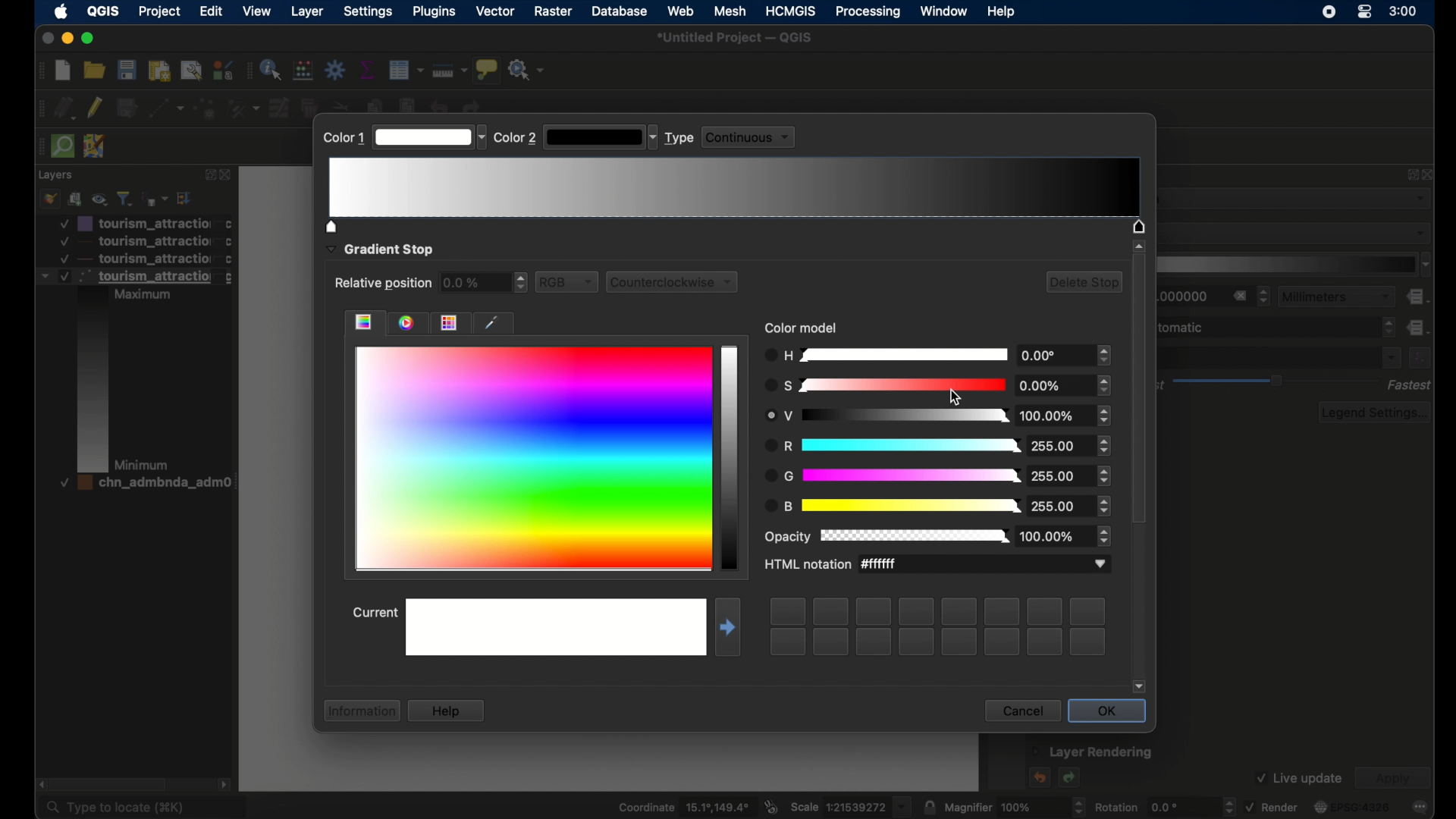 The height and width of the screenshot is (819, 1456). Describe the element at coordinates (409, 322) in the screenshot. I see `color wheel` at that location.